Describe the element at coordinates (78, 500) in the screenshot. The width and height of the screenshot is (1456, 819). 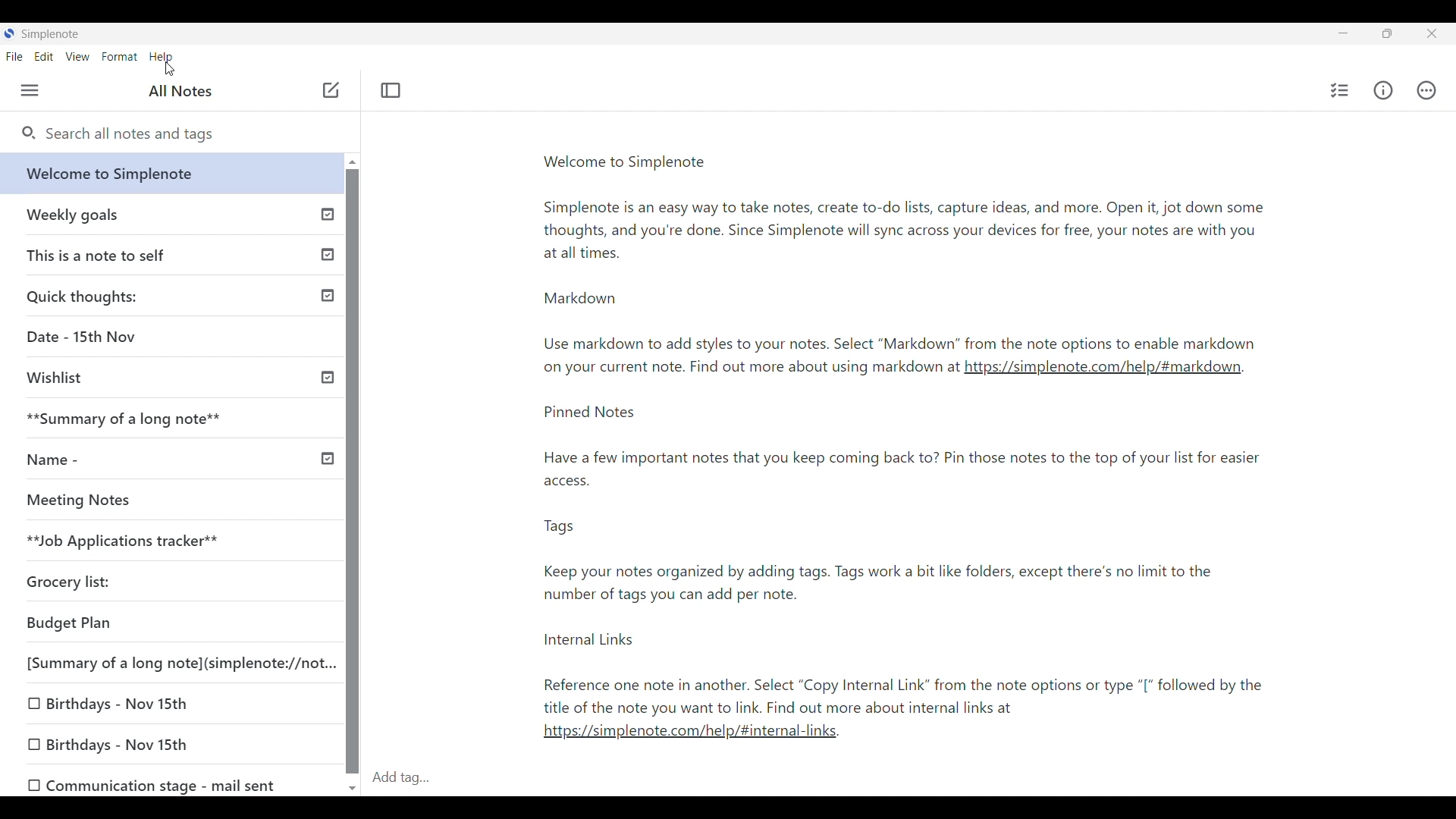
I see `Meeting Notes` at that location.